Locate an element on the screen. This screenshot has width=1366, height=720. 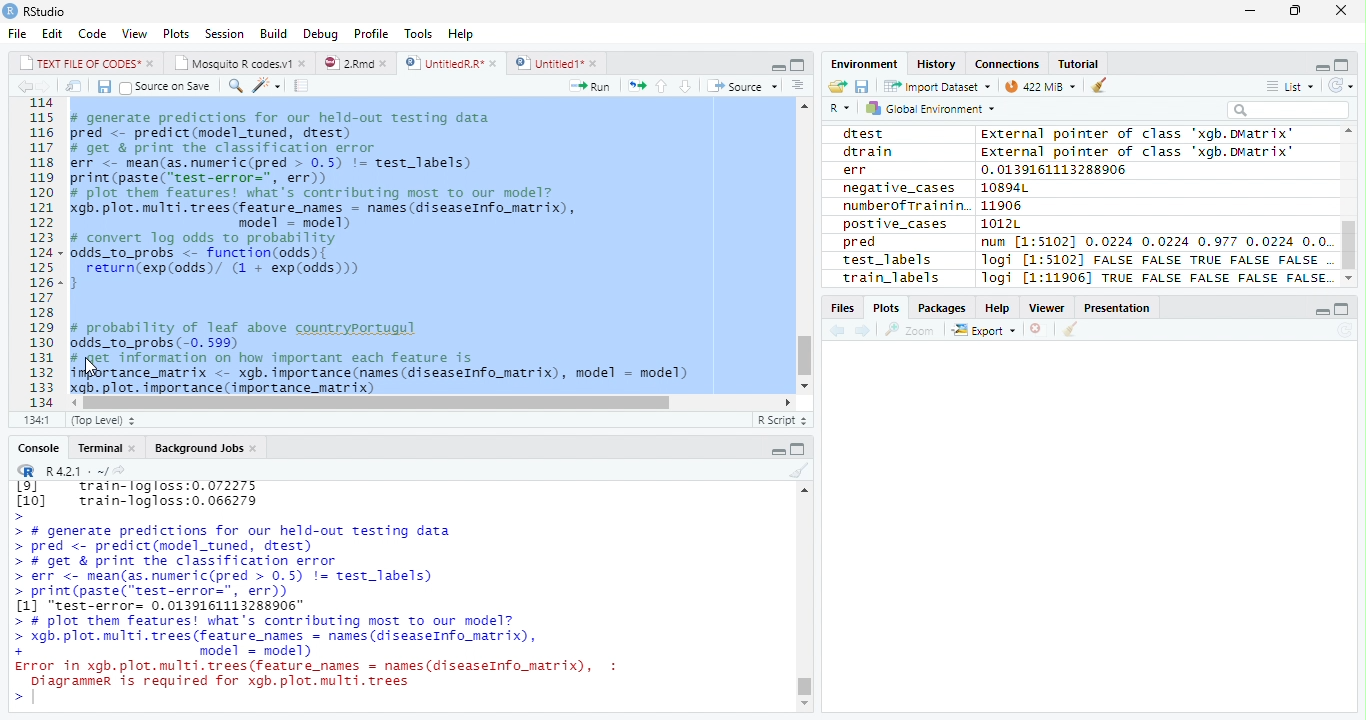
Minimize is located at coordinates (1322, 309).